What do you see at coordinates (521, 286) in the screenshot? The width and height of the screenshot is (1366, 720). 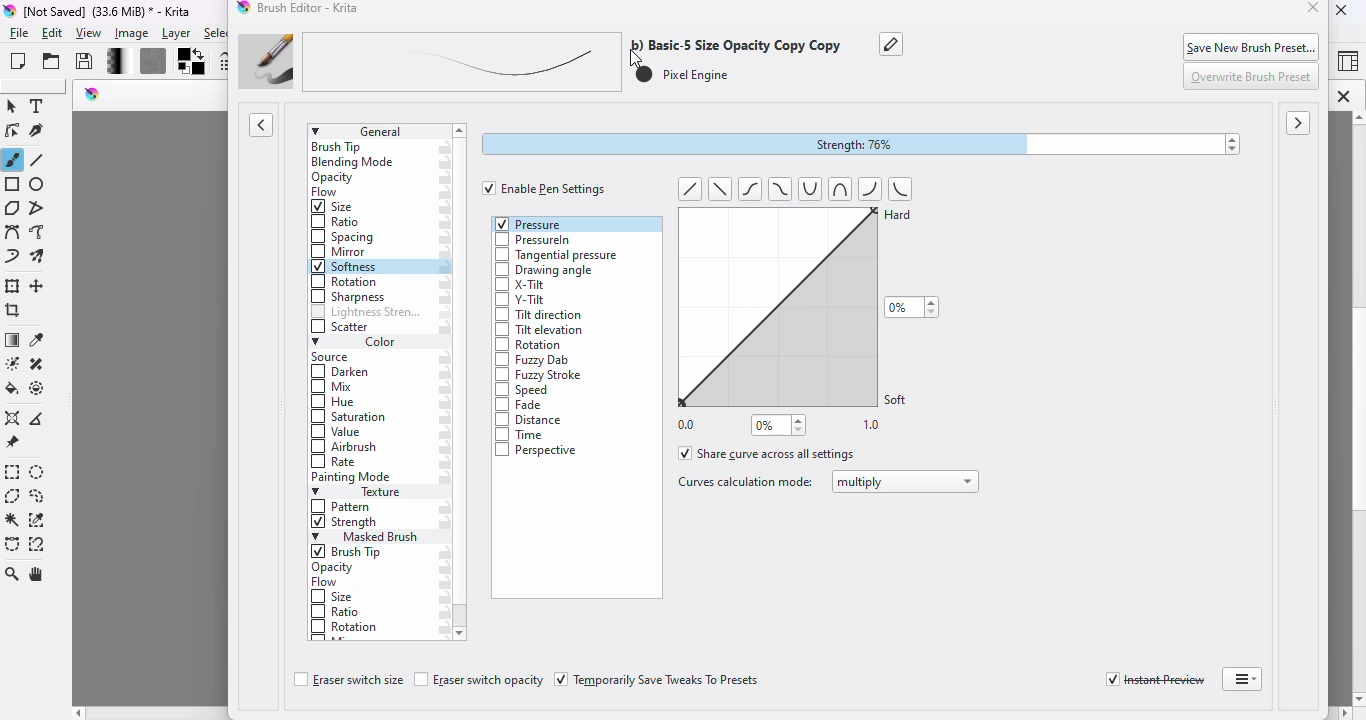 I see `x-tilt` at bounding box center [521, 286].